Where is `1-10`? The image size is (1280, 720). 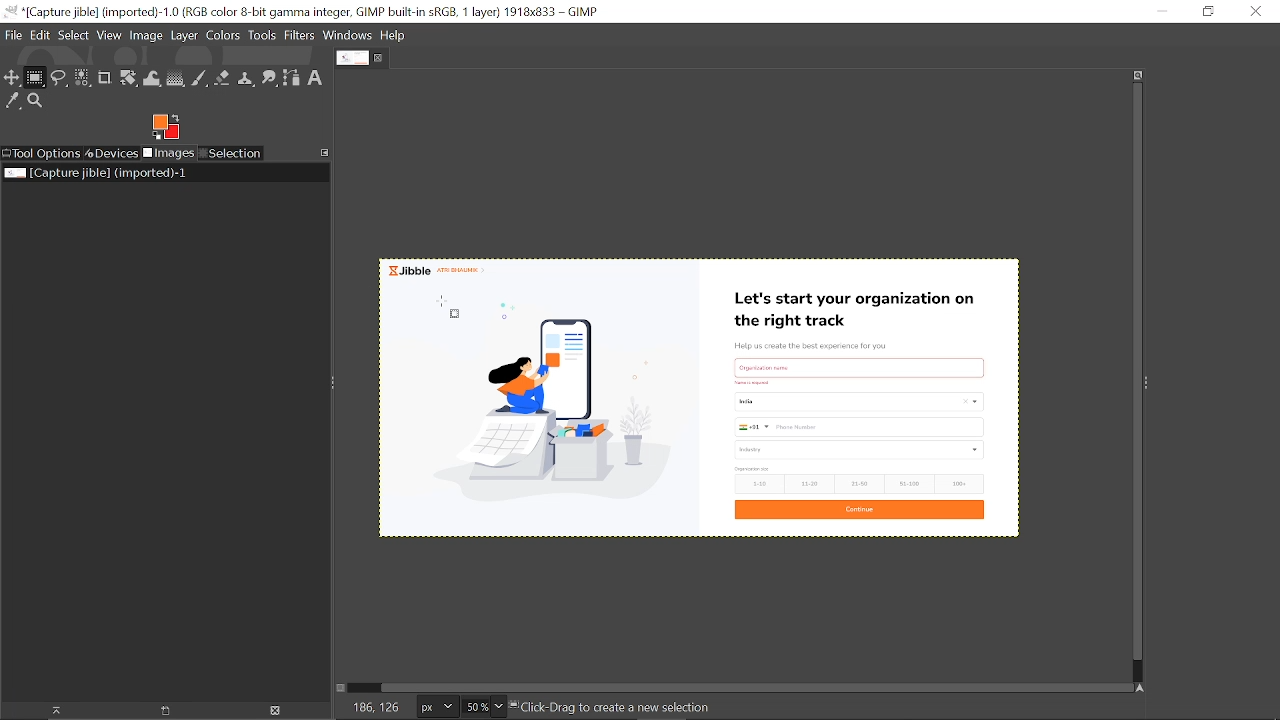
1-10 is located at coordinates (756, 484).